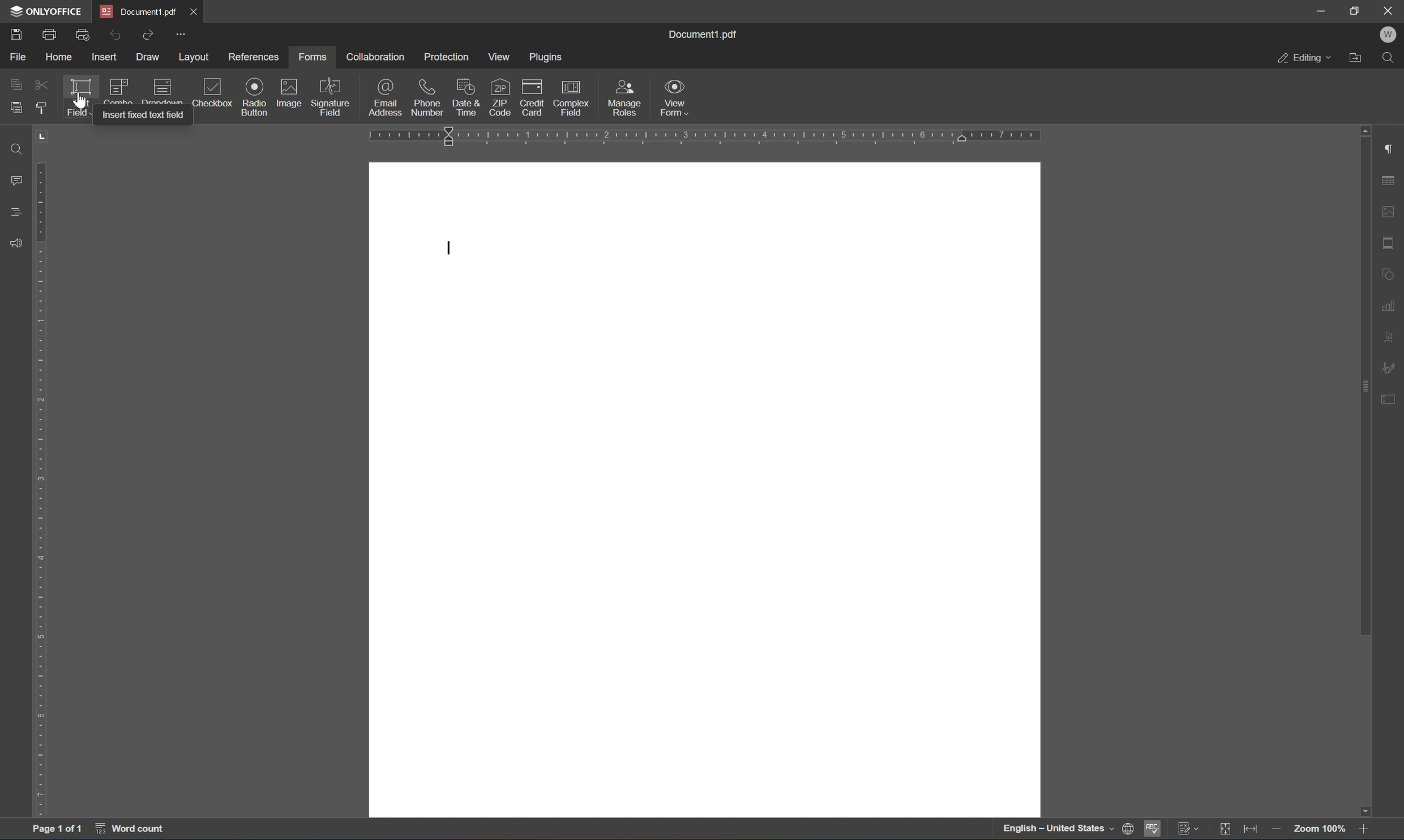 Image resolution: width=1404 pixels, height=840 pixels. I want to click on ruler, so click(43, 486).